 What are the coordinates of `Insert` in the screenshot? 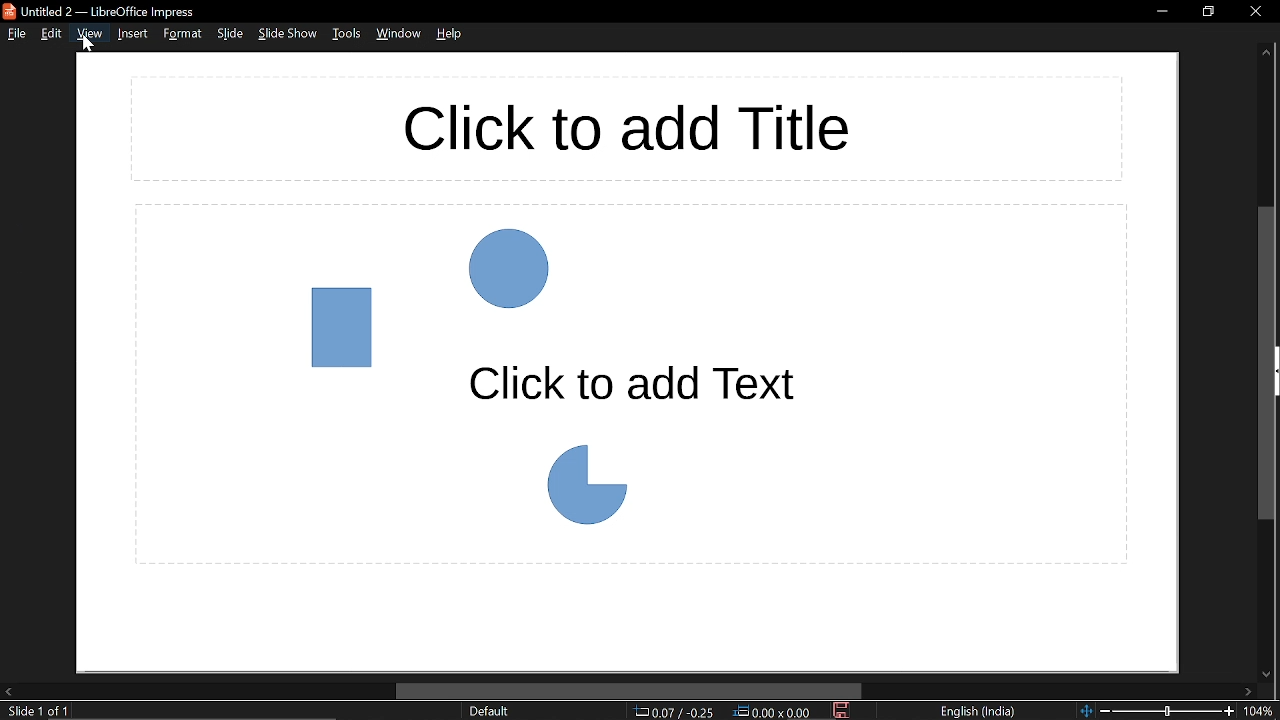 It's located at (131, 37).